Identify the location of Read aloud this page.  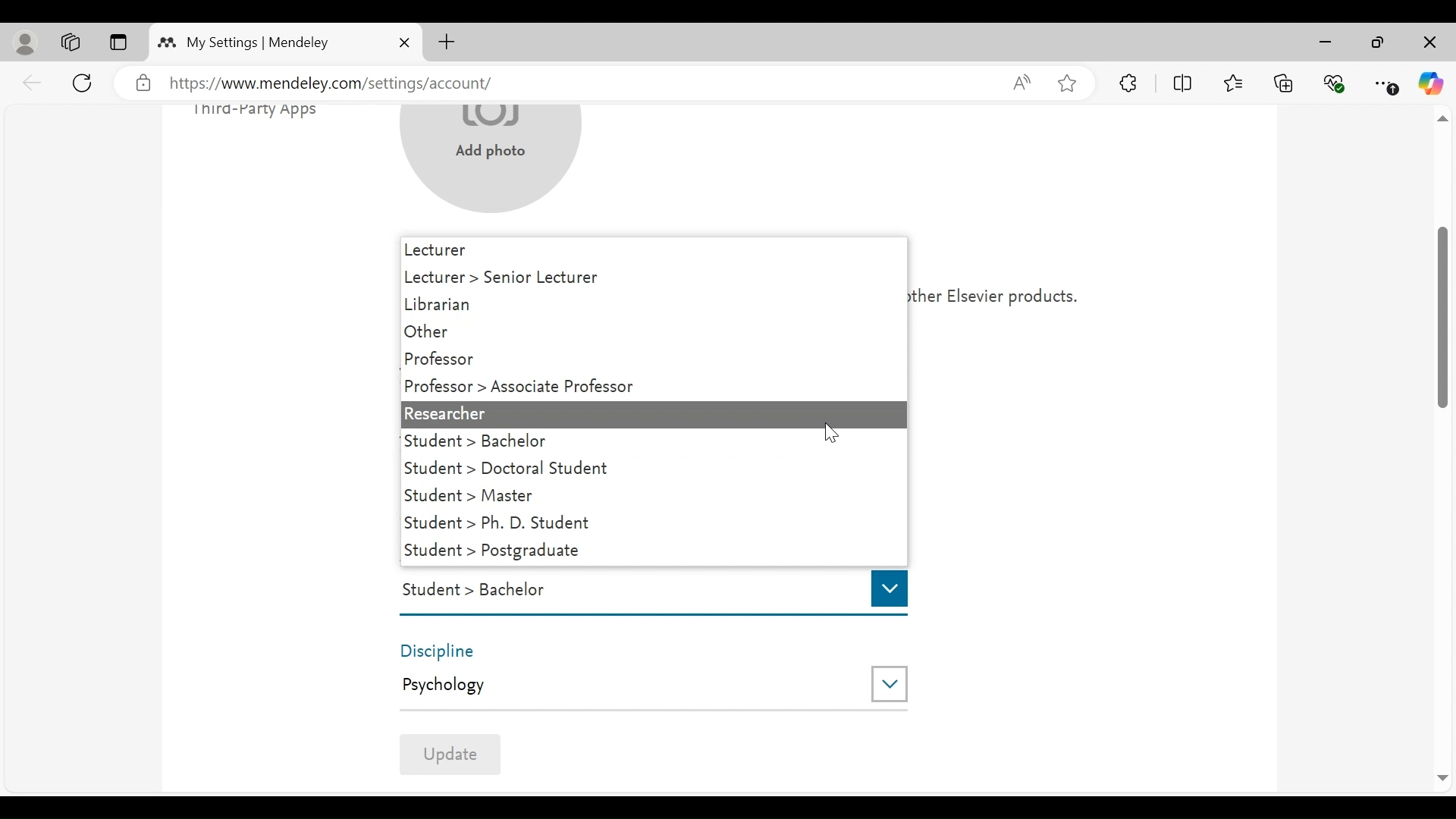
(1021, 82).